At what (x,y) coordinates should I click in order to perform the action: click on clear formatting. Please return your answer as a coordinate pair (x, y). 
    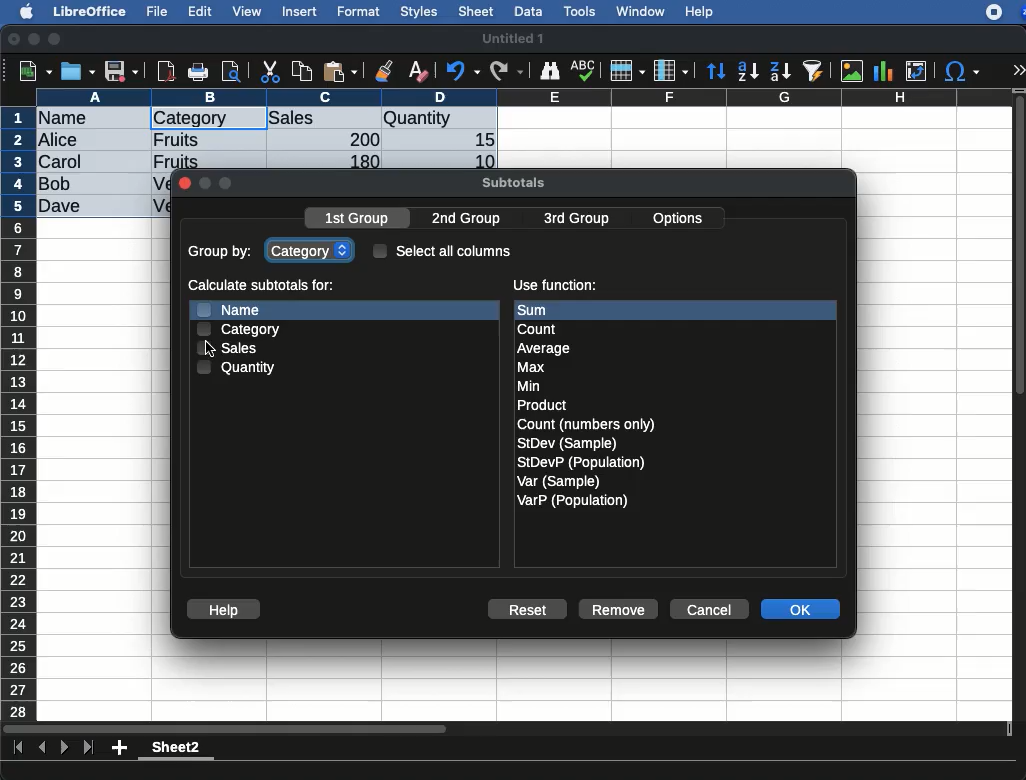
    Looking at the image, I should click on (417, 72).